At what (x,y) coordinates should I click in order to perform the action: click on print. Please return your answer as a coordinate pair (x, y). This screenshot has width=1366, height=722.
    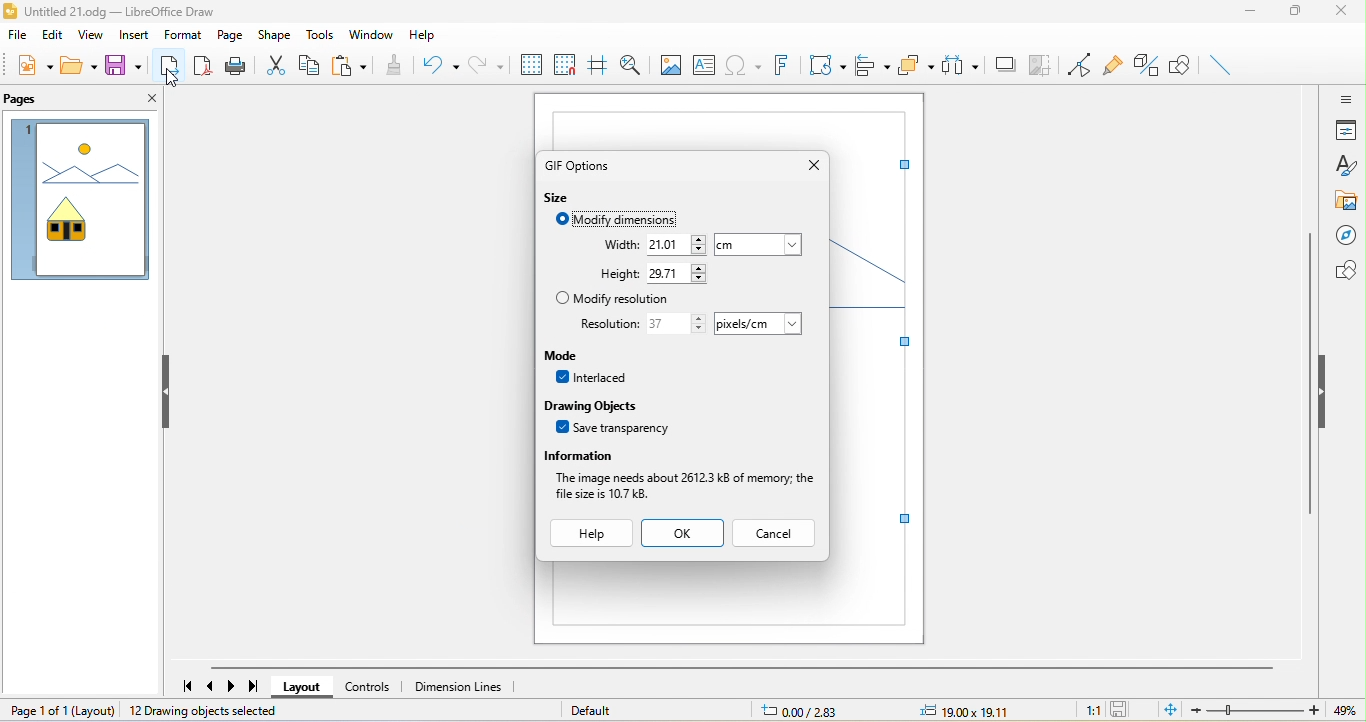
    Looking at the image, I should click on (237, 64).